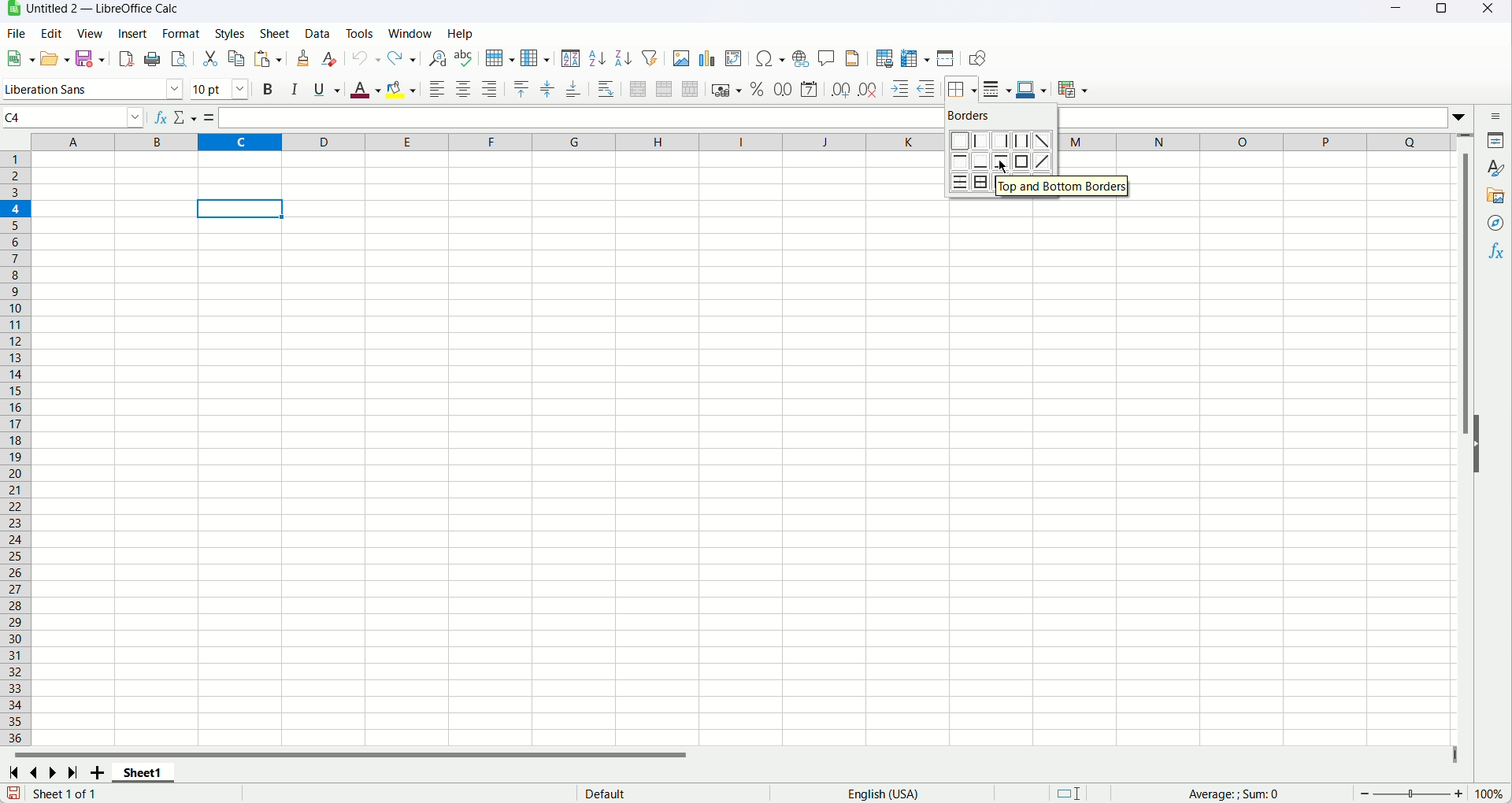 The image size is (1512, 803). What do you see at coordinates (884, 59) in the screenshot?
I see `Define print area` at bounding box center [884, 59].